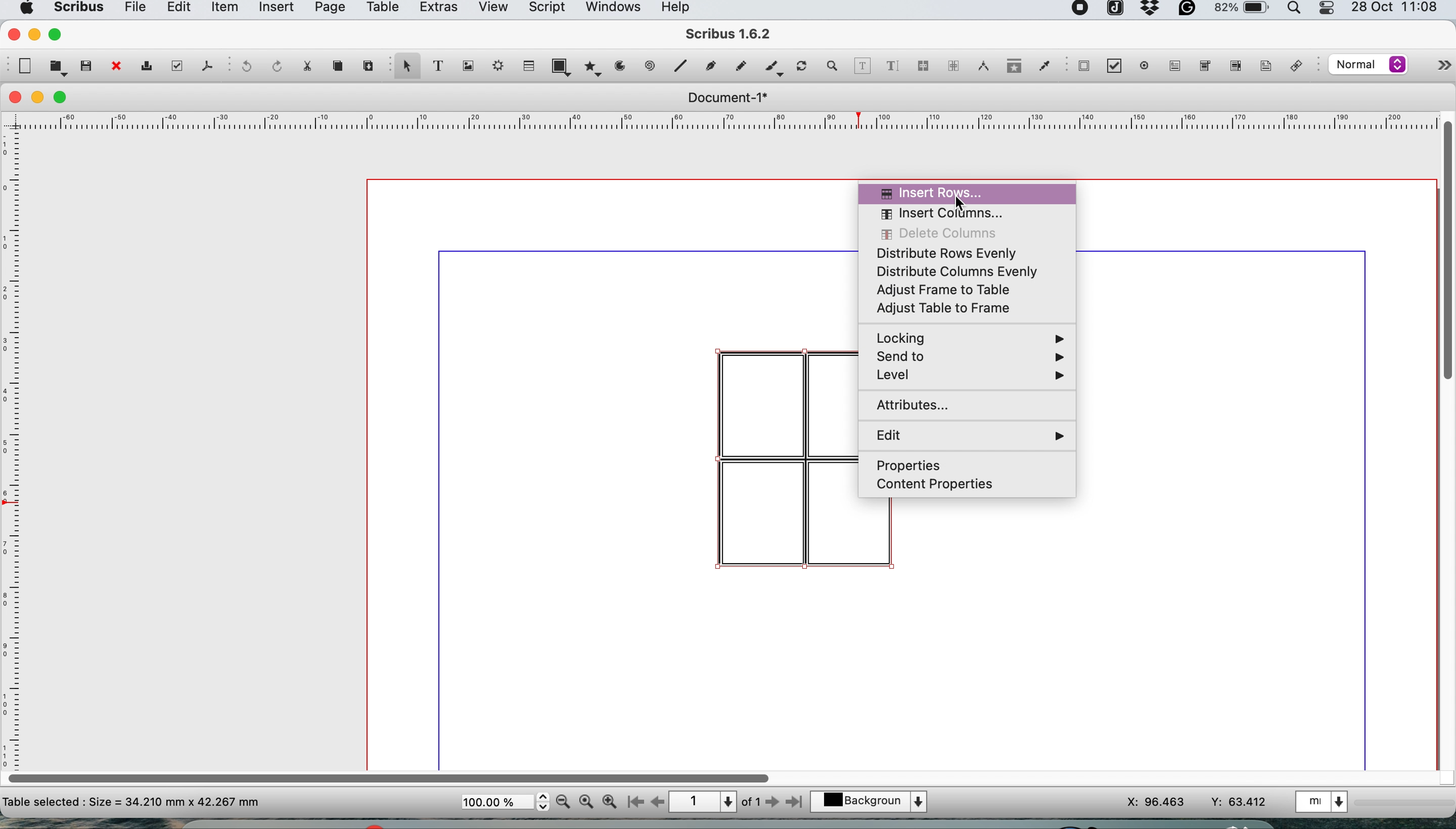  Describe the element at coordinates (1397, 9) in the screenshot. I see `date and time` at that location.